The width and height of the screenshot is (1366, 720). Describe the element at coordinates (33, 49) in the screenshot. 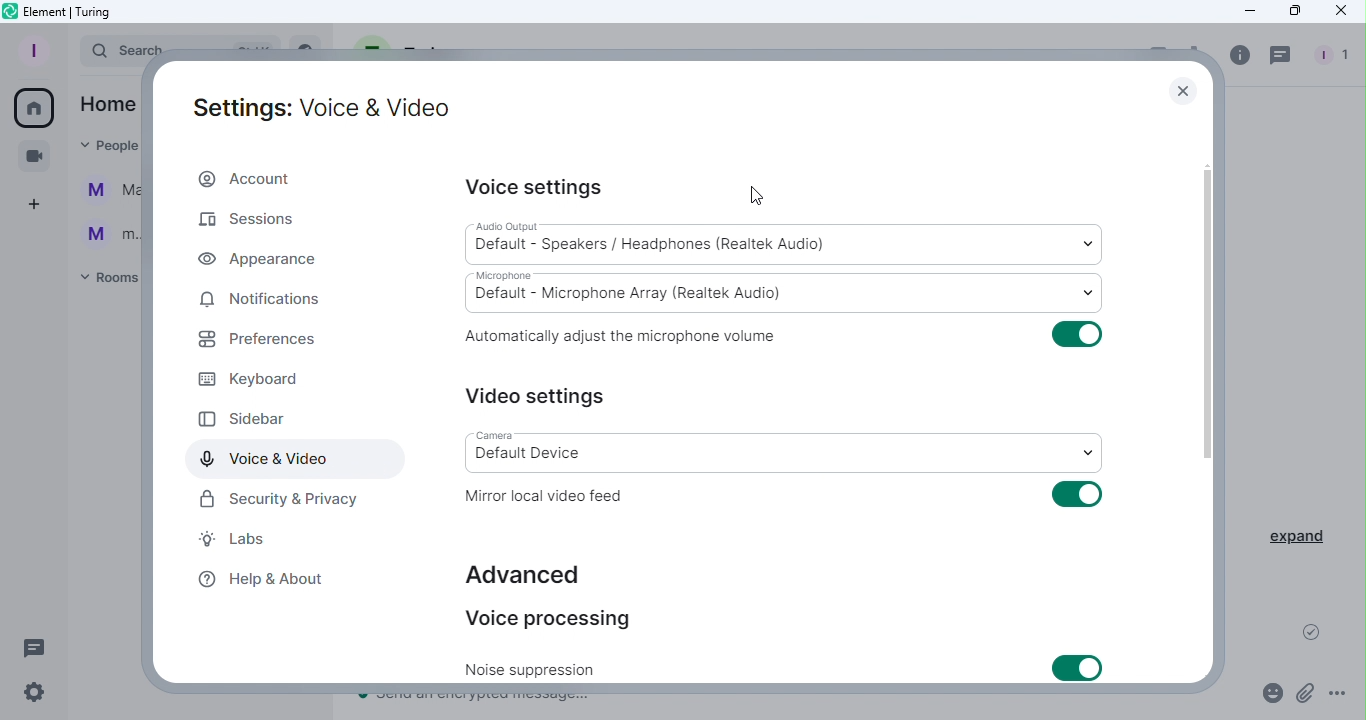

I see `Profile` at that location.